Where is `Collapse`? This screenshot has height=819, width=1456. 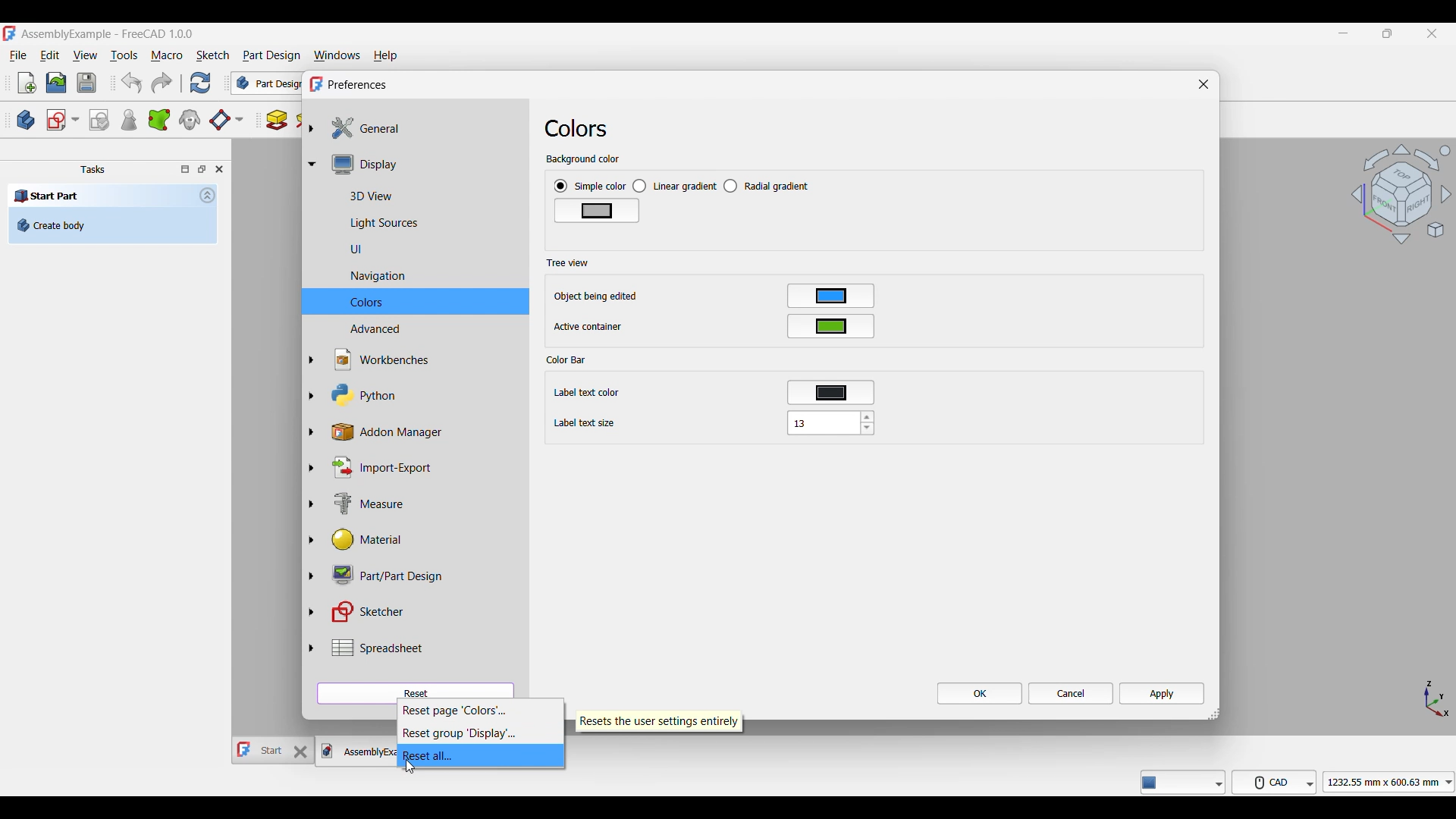
Collapse is located at coordinates (208, 195).